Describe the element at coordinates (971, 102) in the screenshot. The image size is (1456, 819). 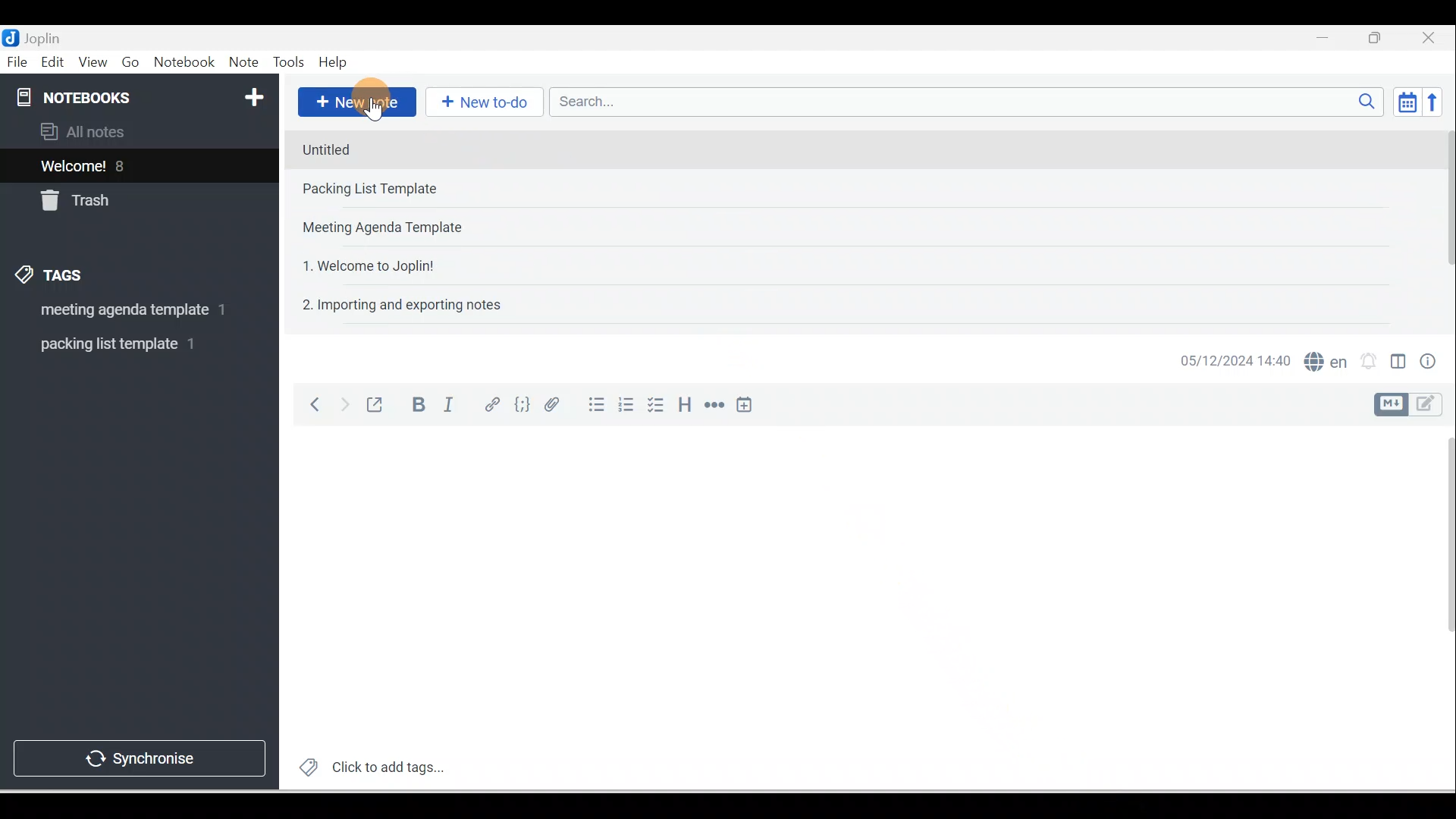
I see `Search bar` at that location.